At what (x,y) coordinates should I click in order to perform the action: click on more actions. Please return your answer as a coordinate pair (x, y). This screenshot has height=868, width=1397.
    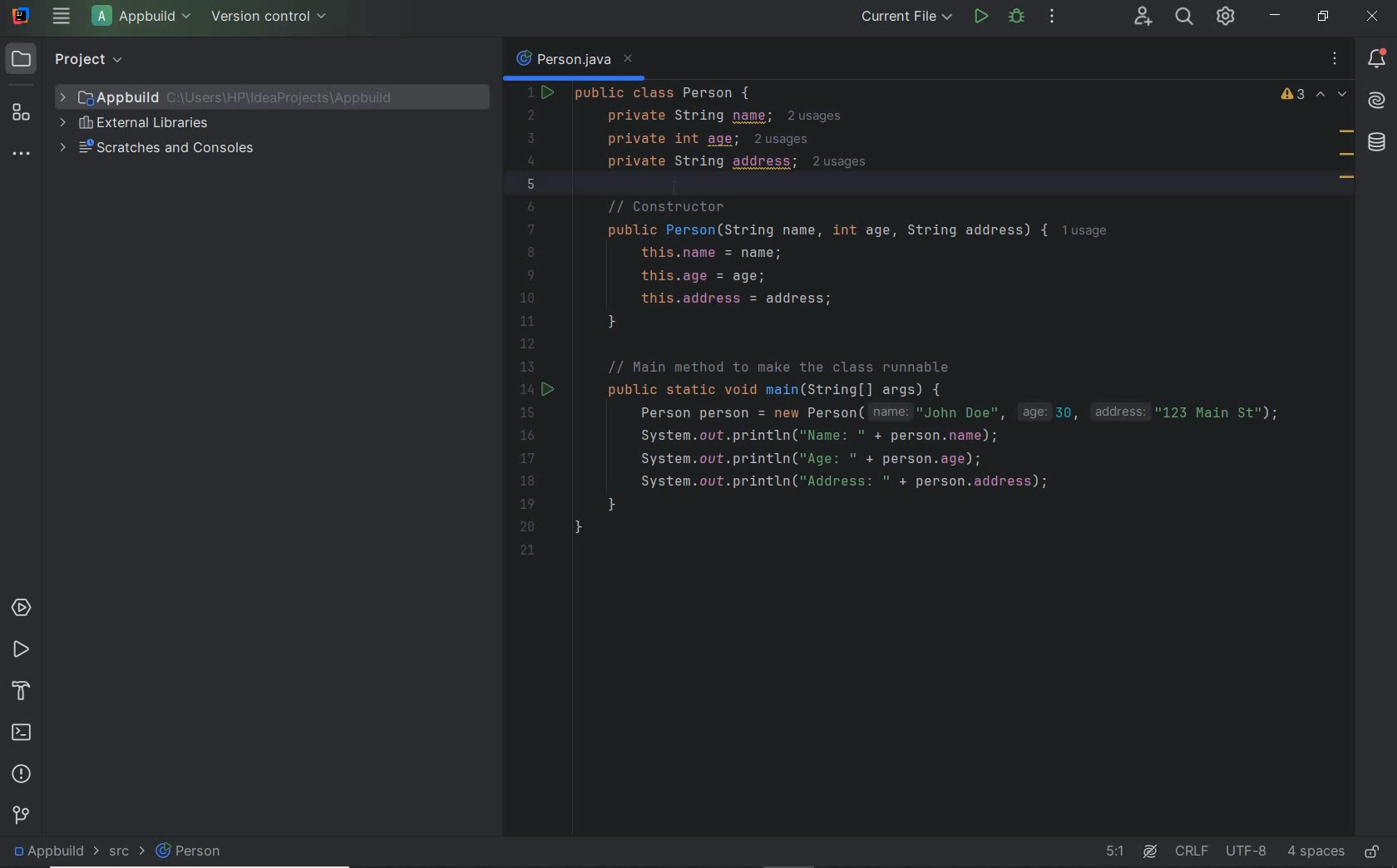
    Looking at the image, I should click on (1052, 18).